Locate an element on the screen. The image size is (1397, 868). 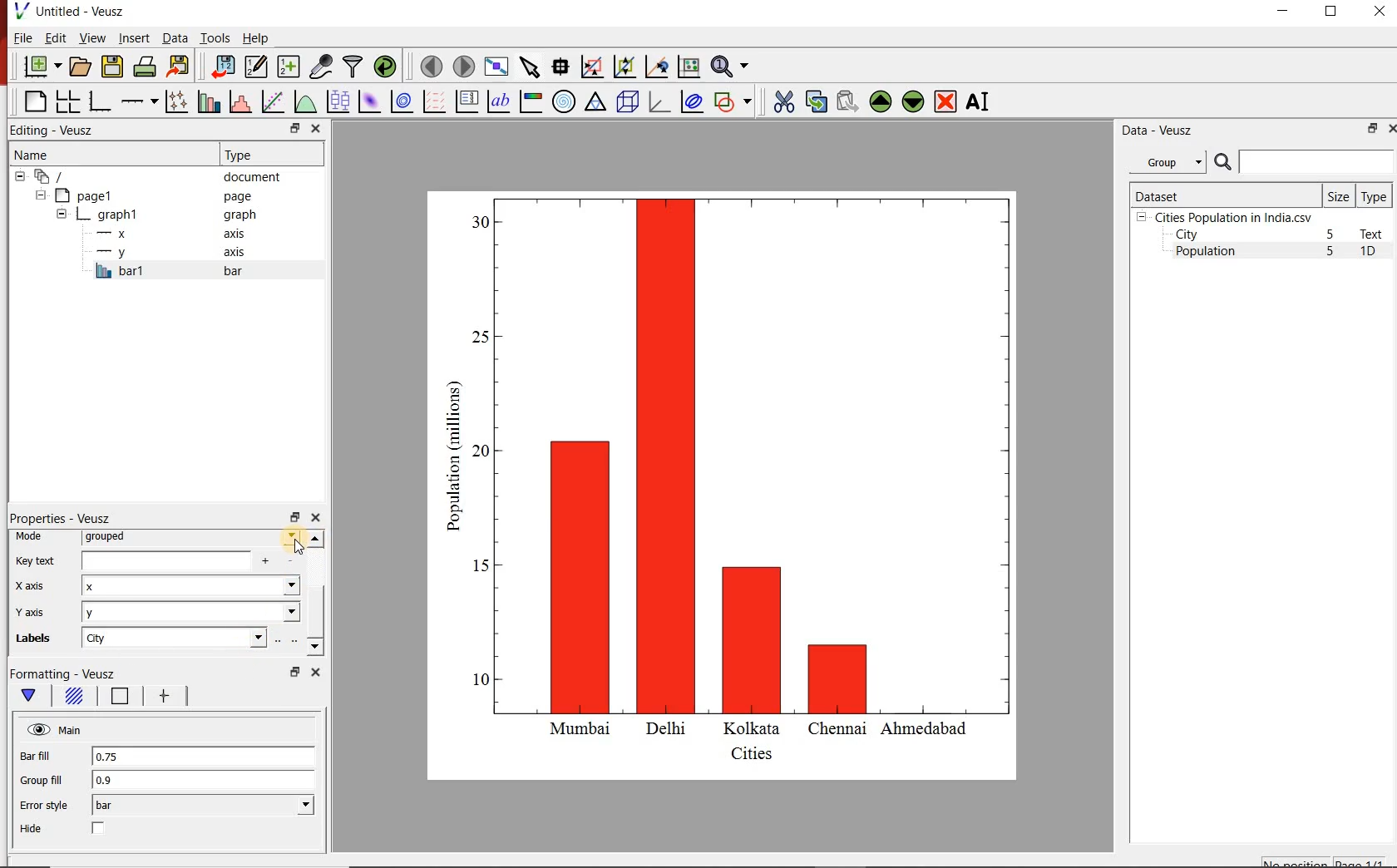
text label is located at coordinates (498, 101).